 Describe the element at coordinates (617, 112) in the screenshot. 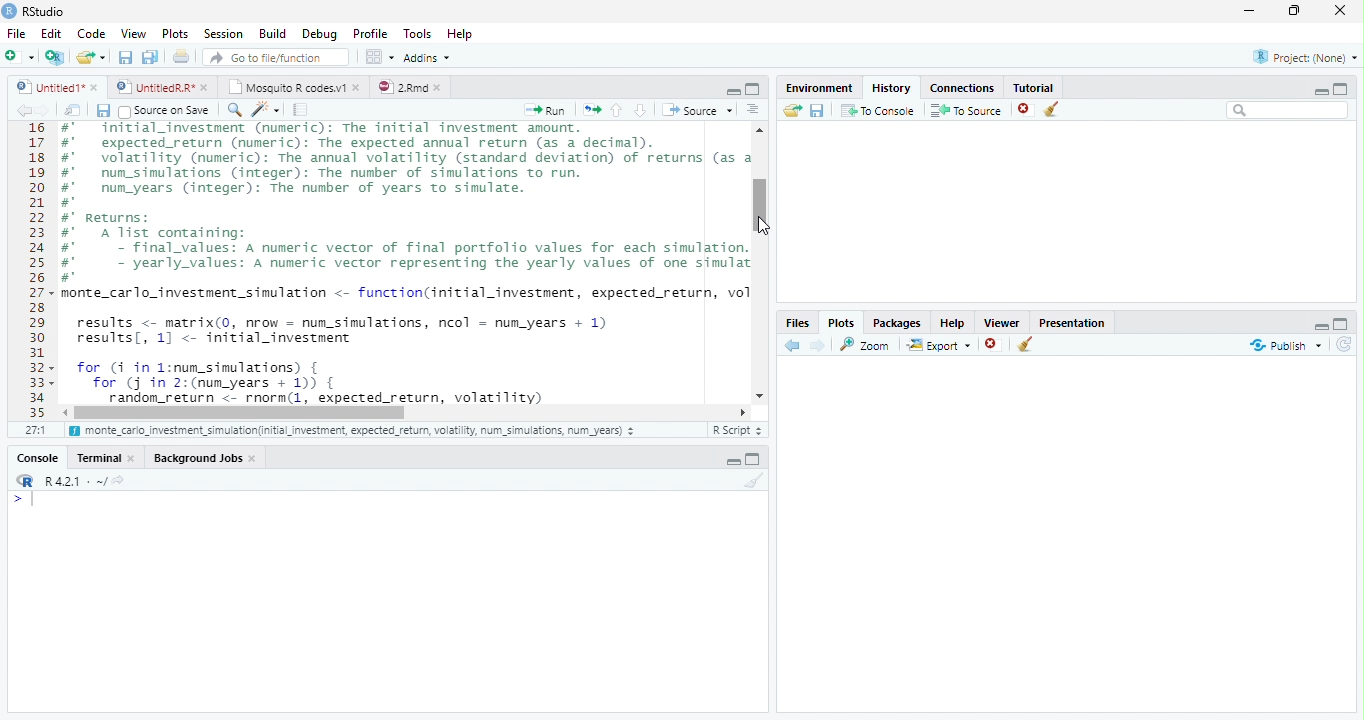

I see `Go to previous section of code` at that location.